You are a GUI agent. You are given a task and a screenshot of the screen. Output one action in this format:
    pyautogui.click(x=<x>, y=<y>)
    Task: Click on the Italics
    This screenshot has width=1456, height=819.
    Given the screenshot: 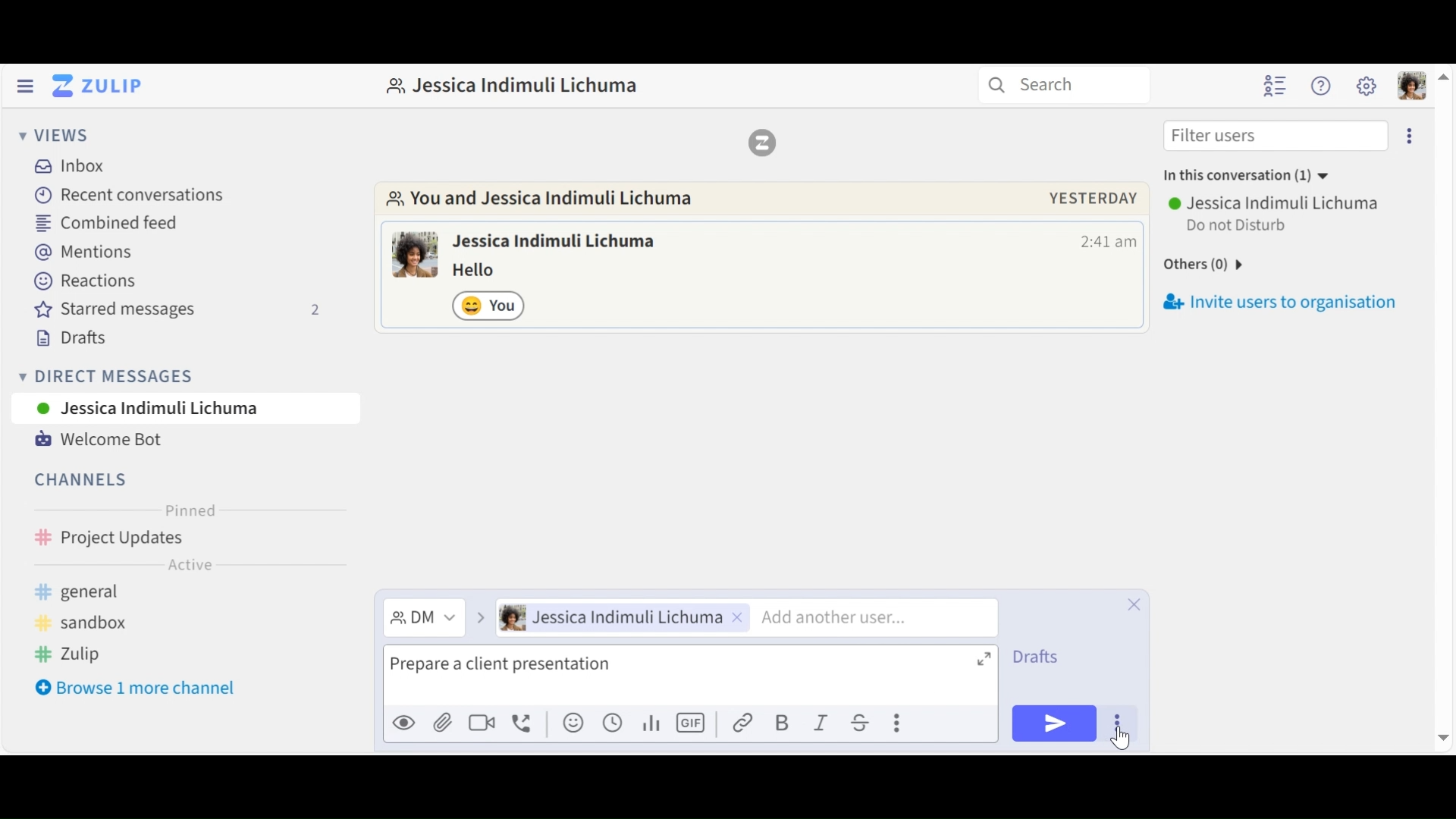 What is the action you would take?
    pyautogui.click(x=821, y=723)
    